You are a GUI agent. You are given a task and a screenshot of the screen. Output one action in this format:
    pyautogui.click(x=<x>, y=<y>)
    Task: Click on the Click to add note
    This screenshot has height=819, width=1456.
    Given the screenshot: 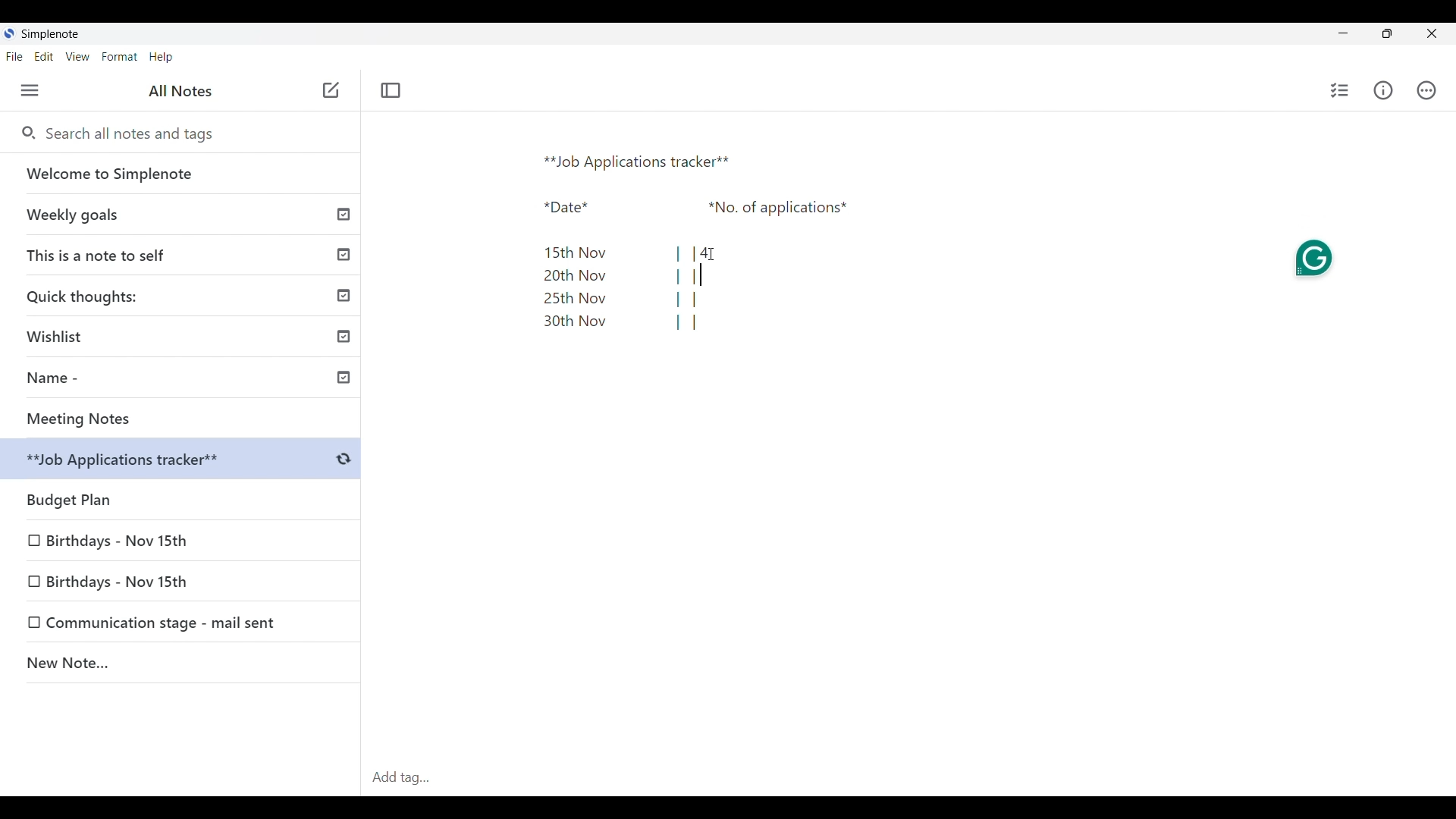 What is the action you would take?
    pyautogui.click(x=332, y=89)
    